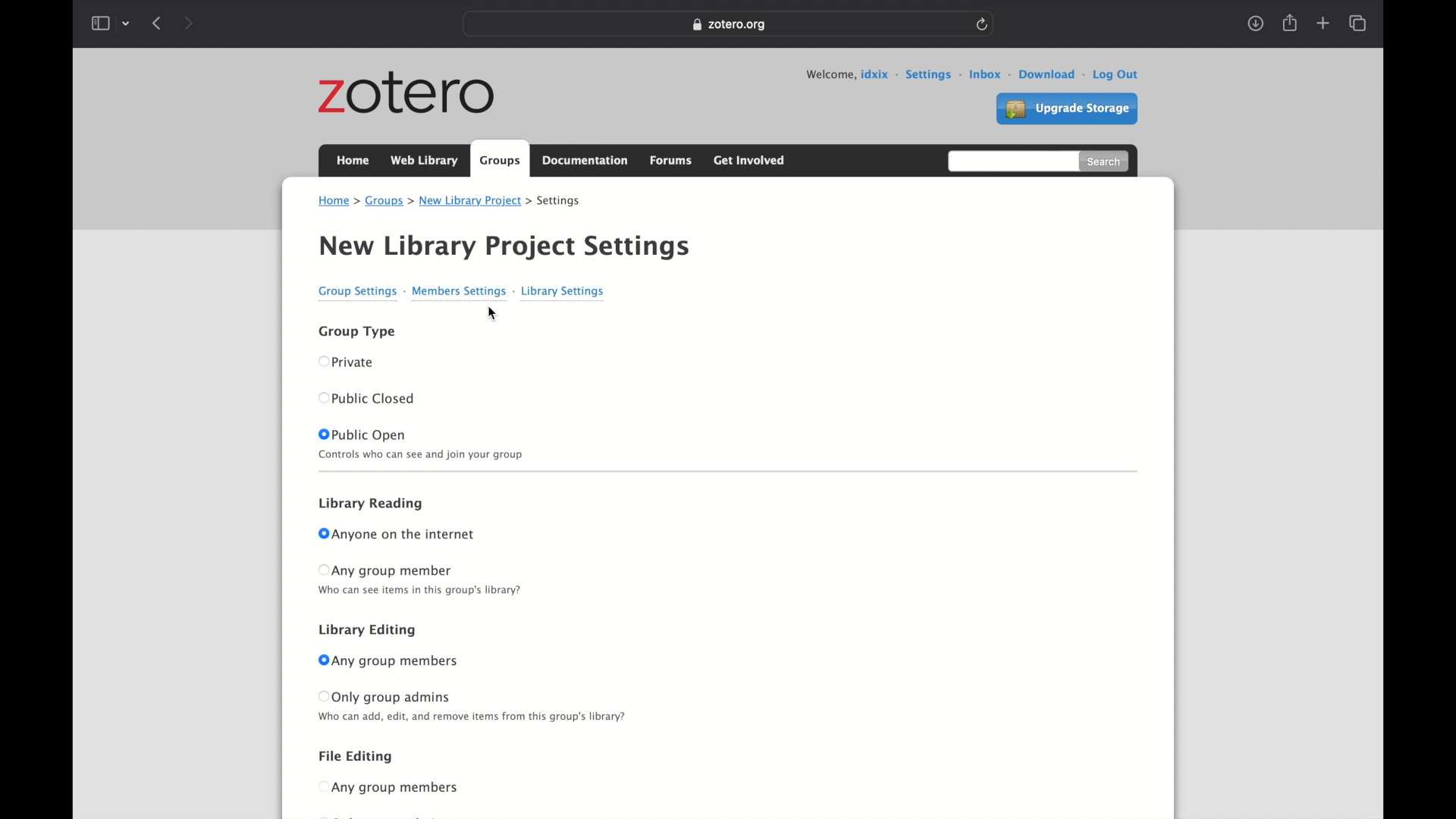  I want to click on settings, so click(934, 74).